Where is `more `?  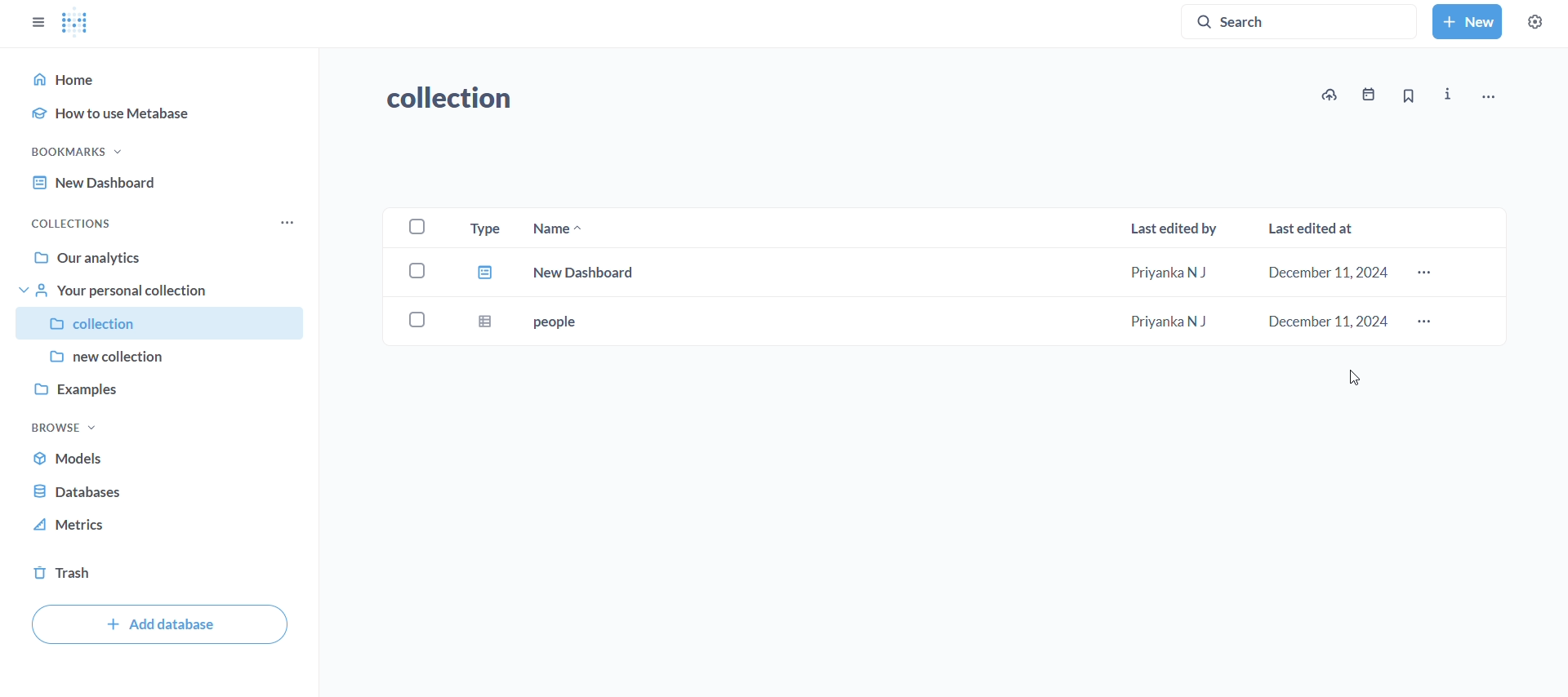 more  is located at coordinates (1427, 273).